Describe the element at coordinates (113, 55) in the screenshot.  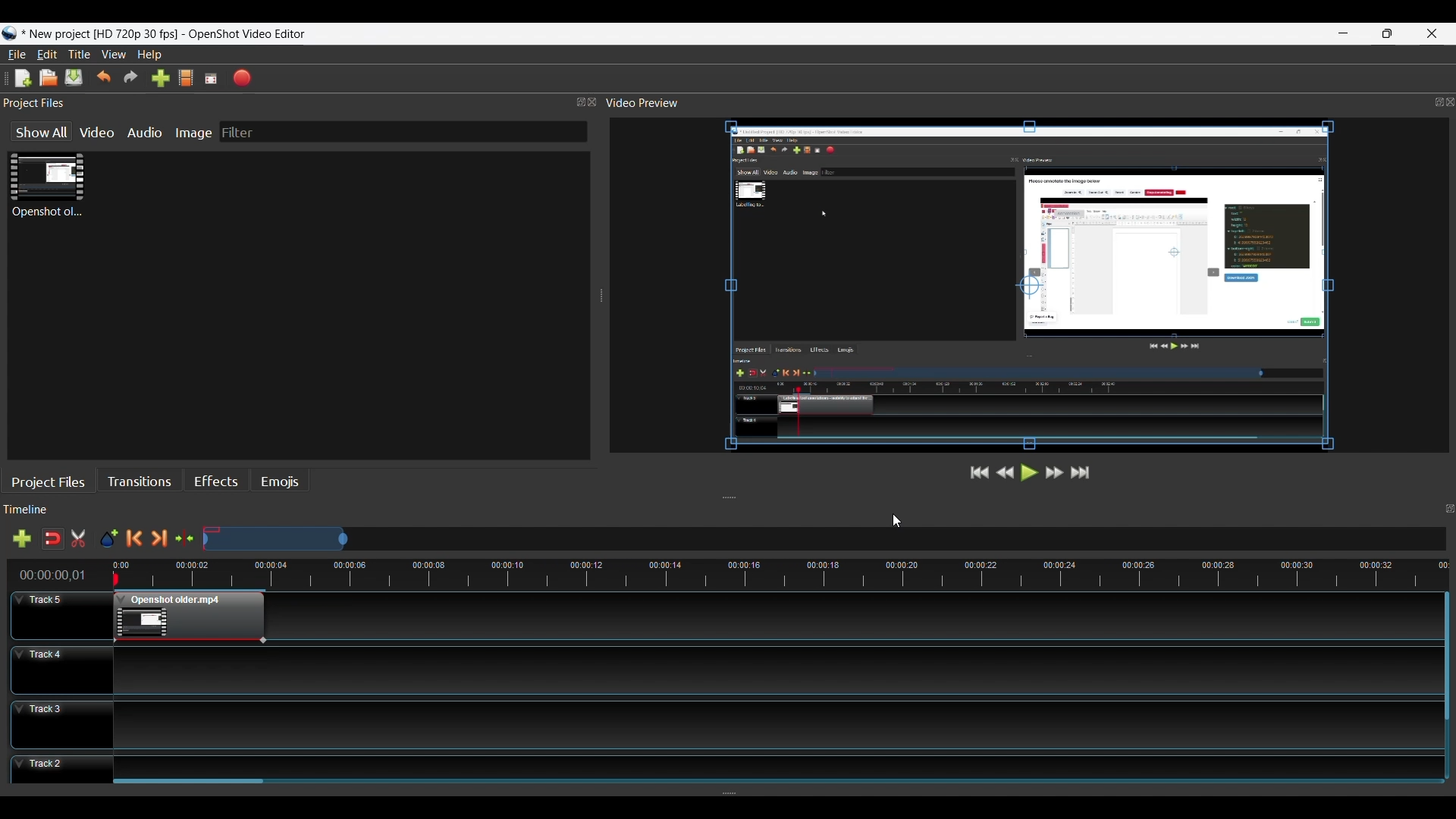
I see `View` at that location.